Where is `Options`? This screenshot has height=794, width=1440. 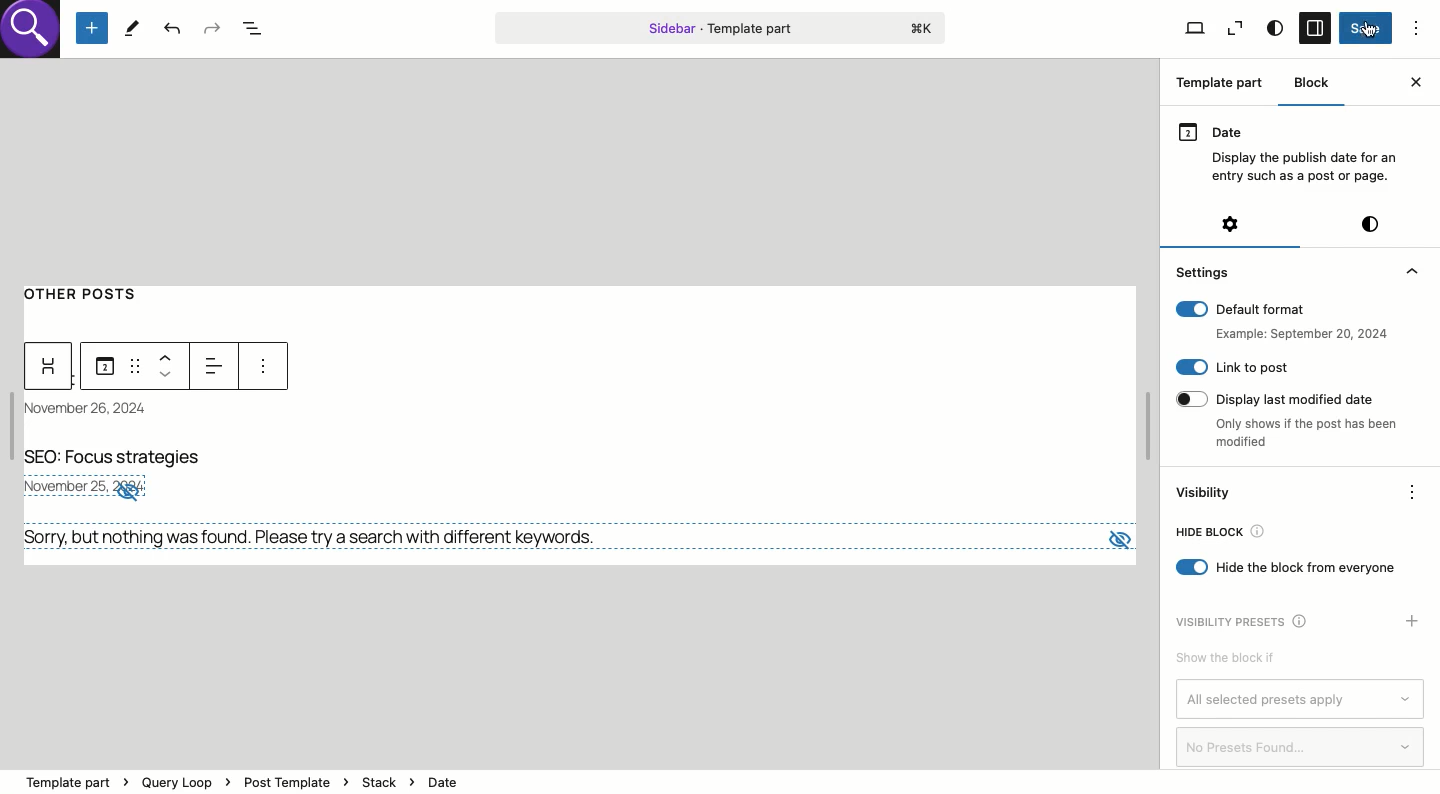
Options is located at coordinates (1417, 27).